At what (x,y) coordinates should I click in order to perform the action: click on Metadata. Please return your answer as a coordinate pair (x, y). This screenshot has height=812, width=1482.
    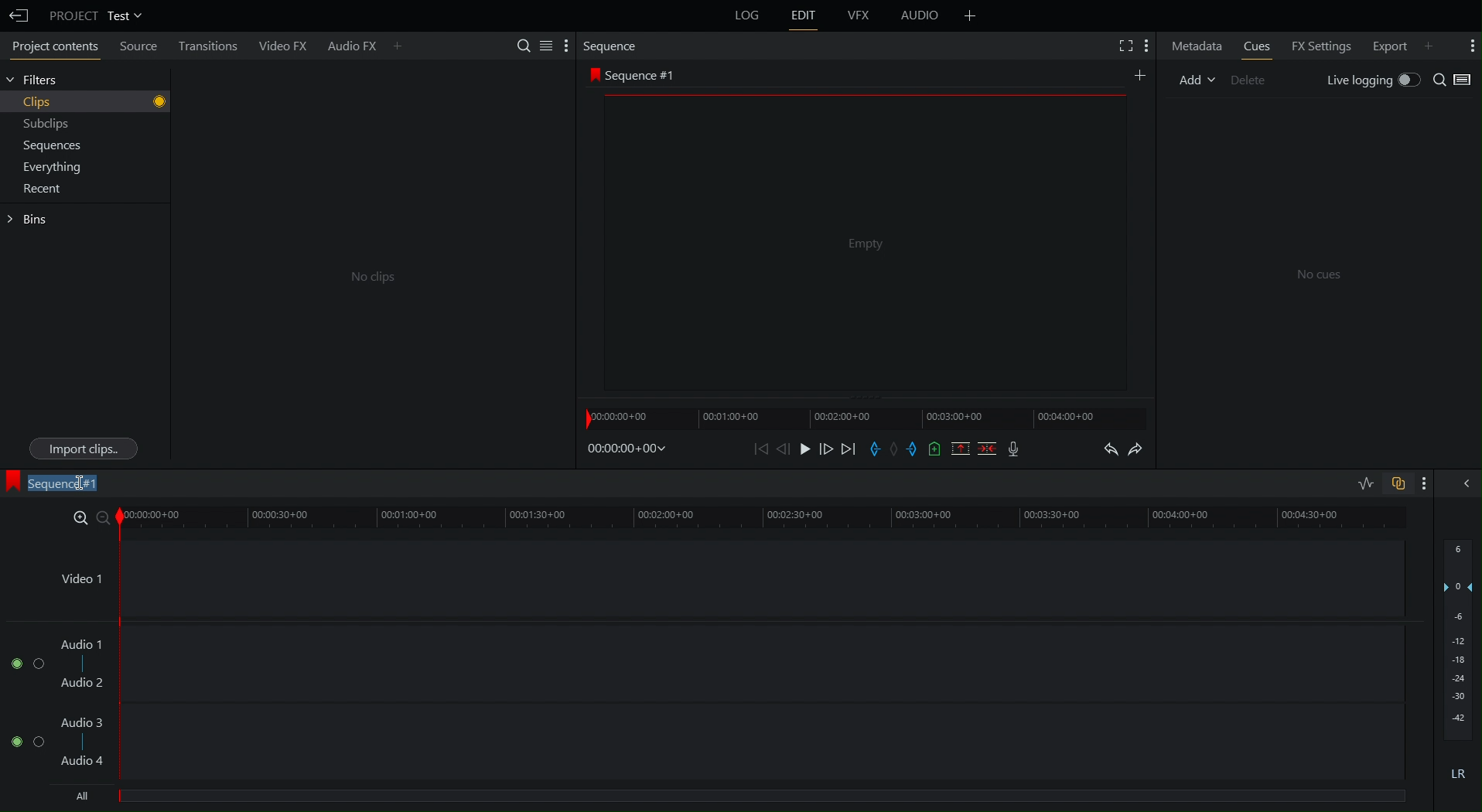
    Looking at the image, I should click on (1195, 46).